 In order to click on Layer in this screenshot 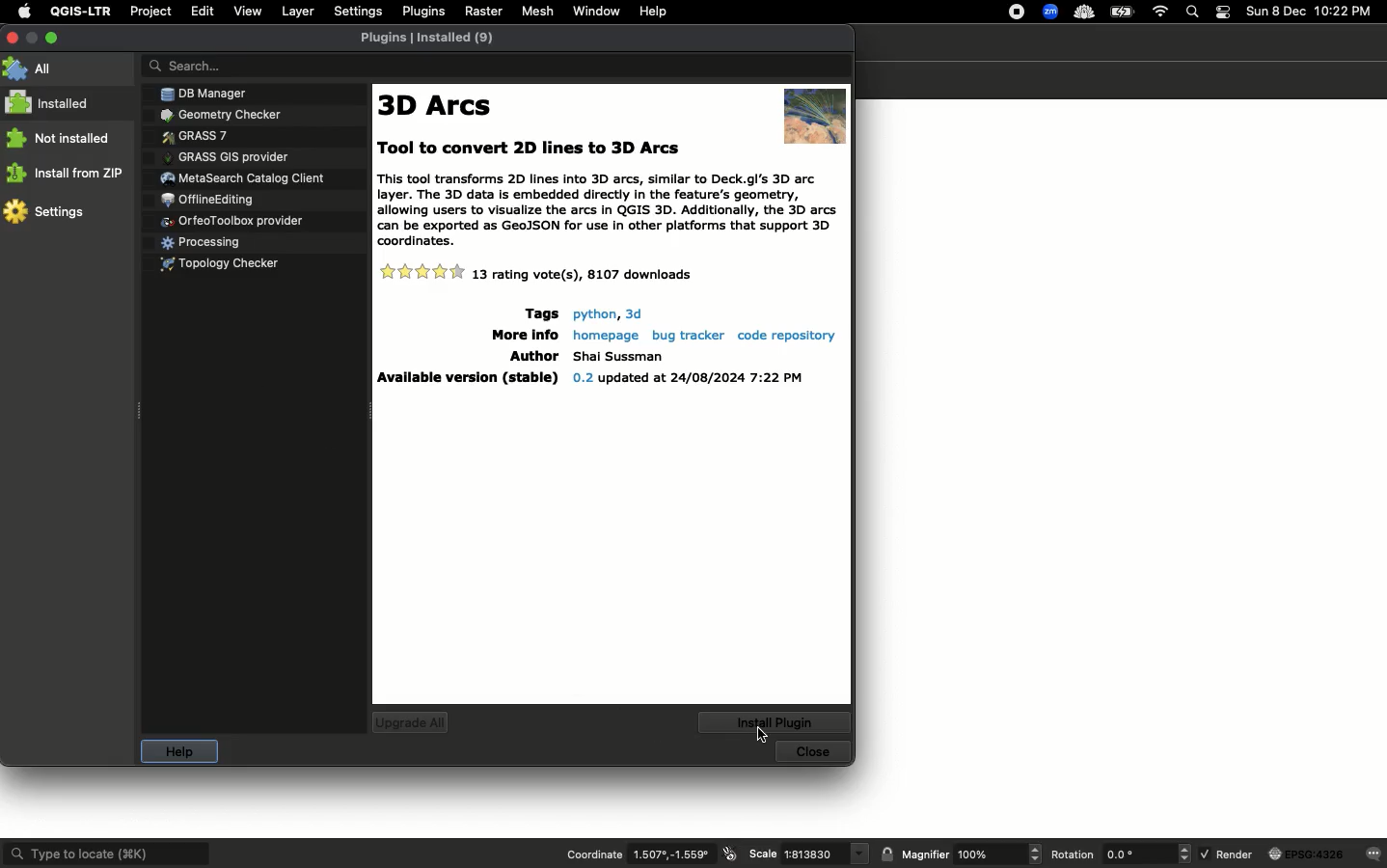, I will do `click(295, 12)`.